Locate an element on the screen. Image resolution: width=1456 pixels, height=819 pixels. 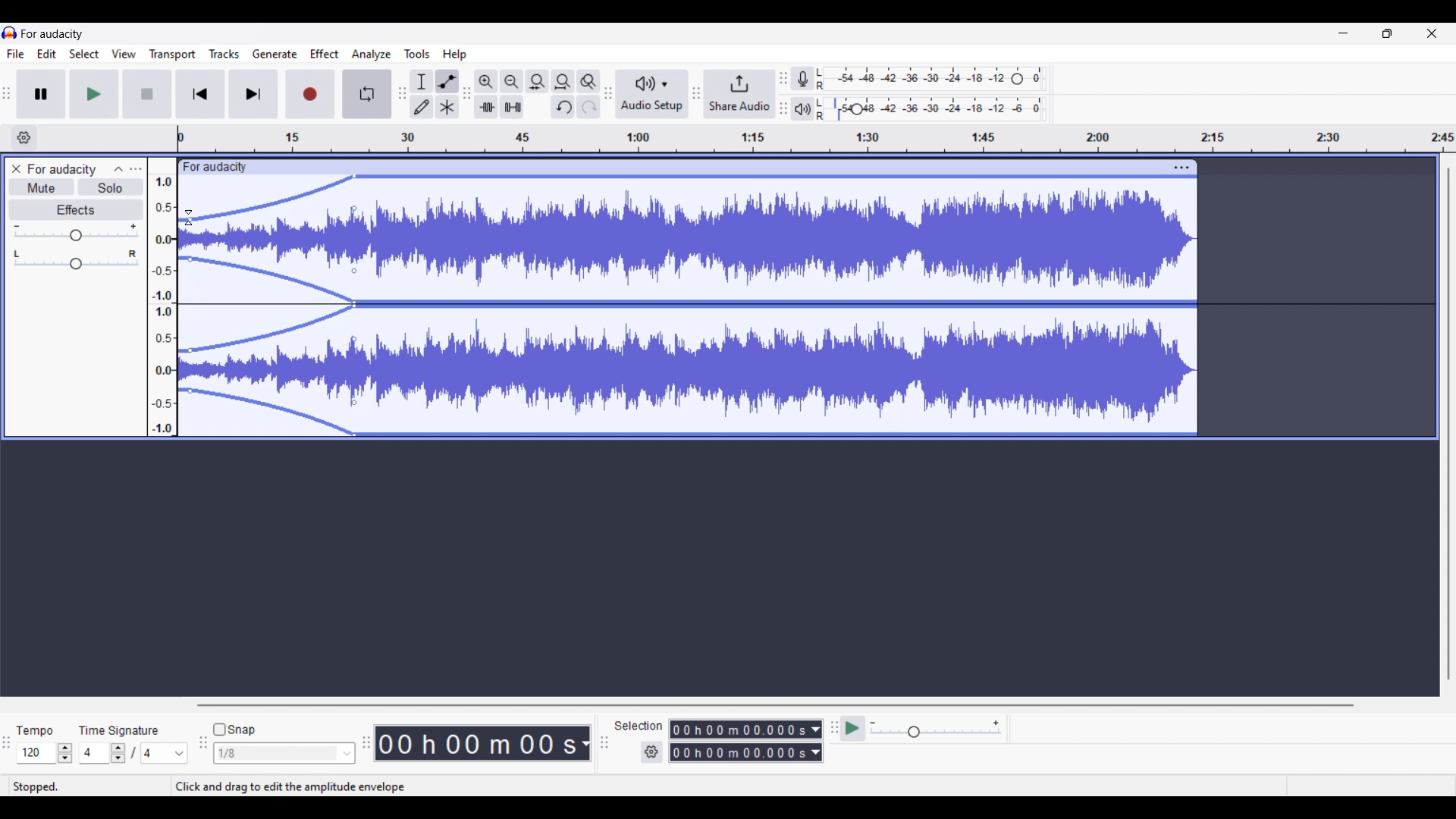
Playback level is located at coordinates (930, 108).